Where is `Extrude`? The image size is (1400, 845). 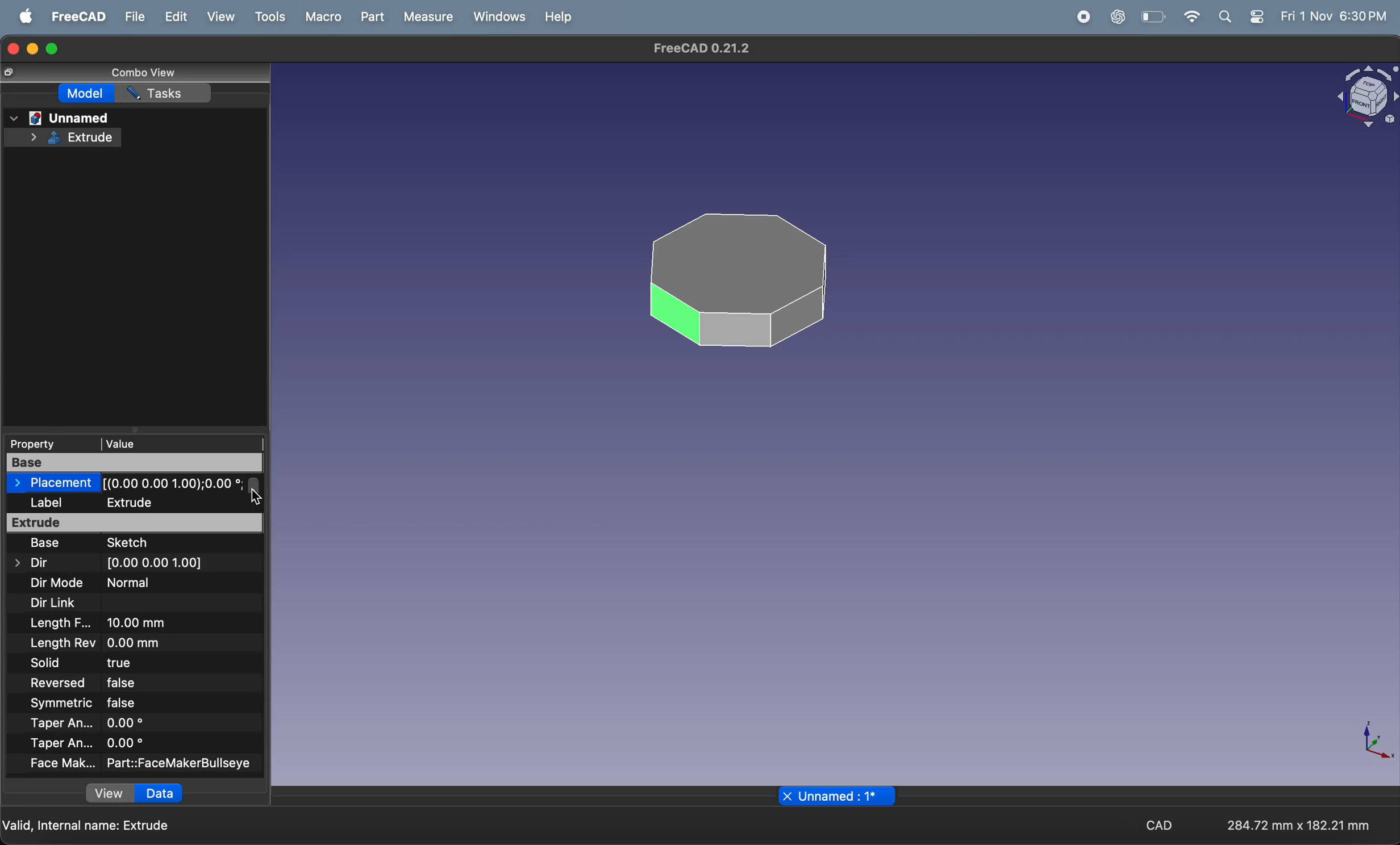 Extrude is located at coordinates (65, 136).